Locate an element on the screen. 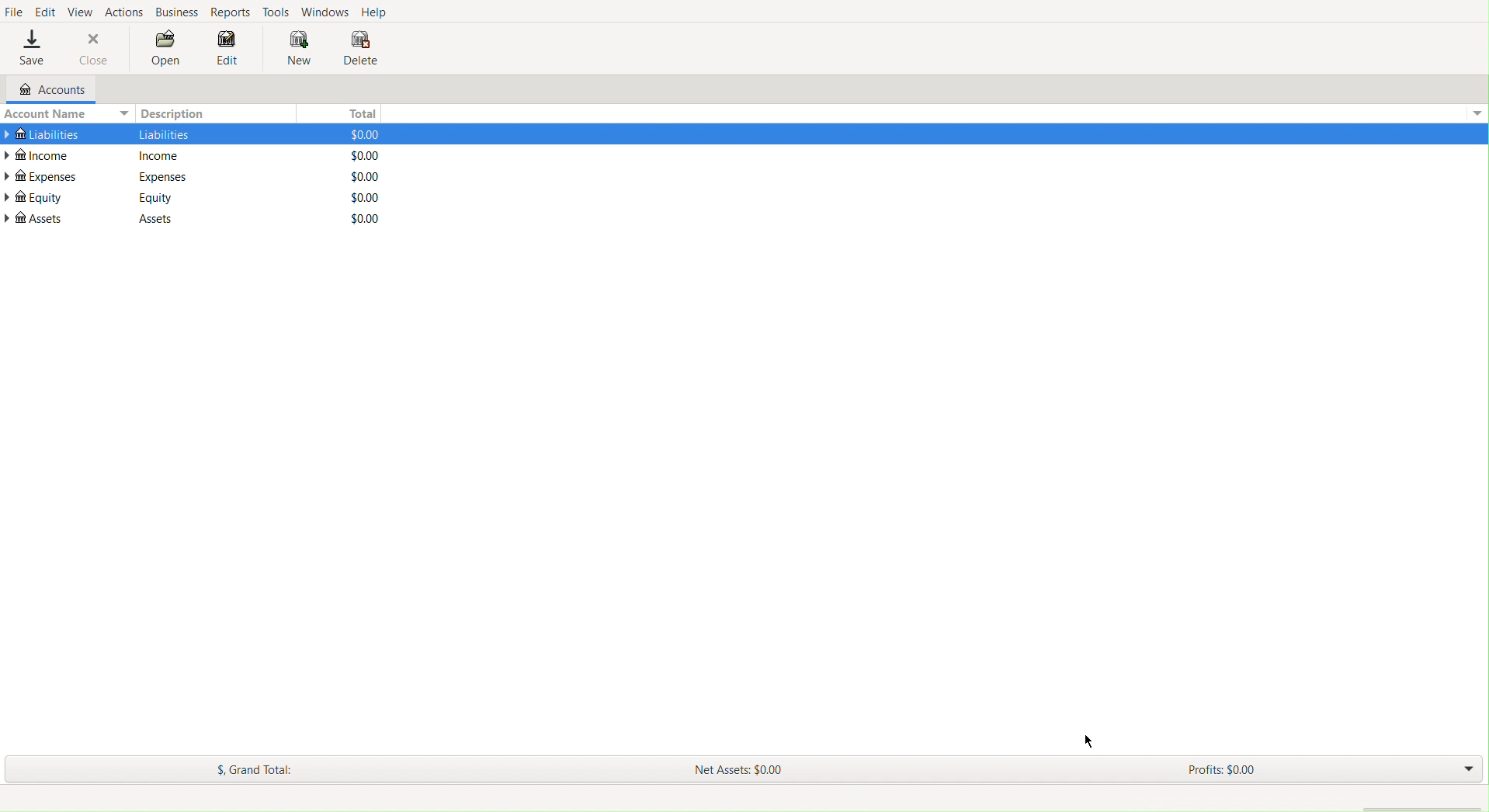 Image resolution: width=1489 pixels, height=812 pixels. Reports is located at coordinates (233, 12).